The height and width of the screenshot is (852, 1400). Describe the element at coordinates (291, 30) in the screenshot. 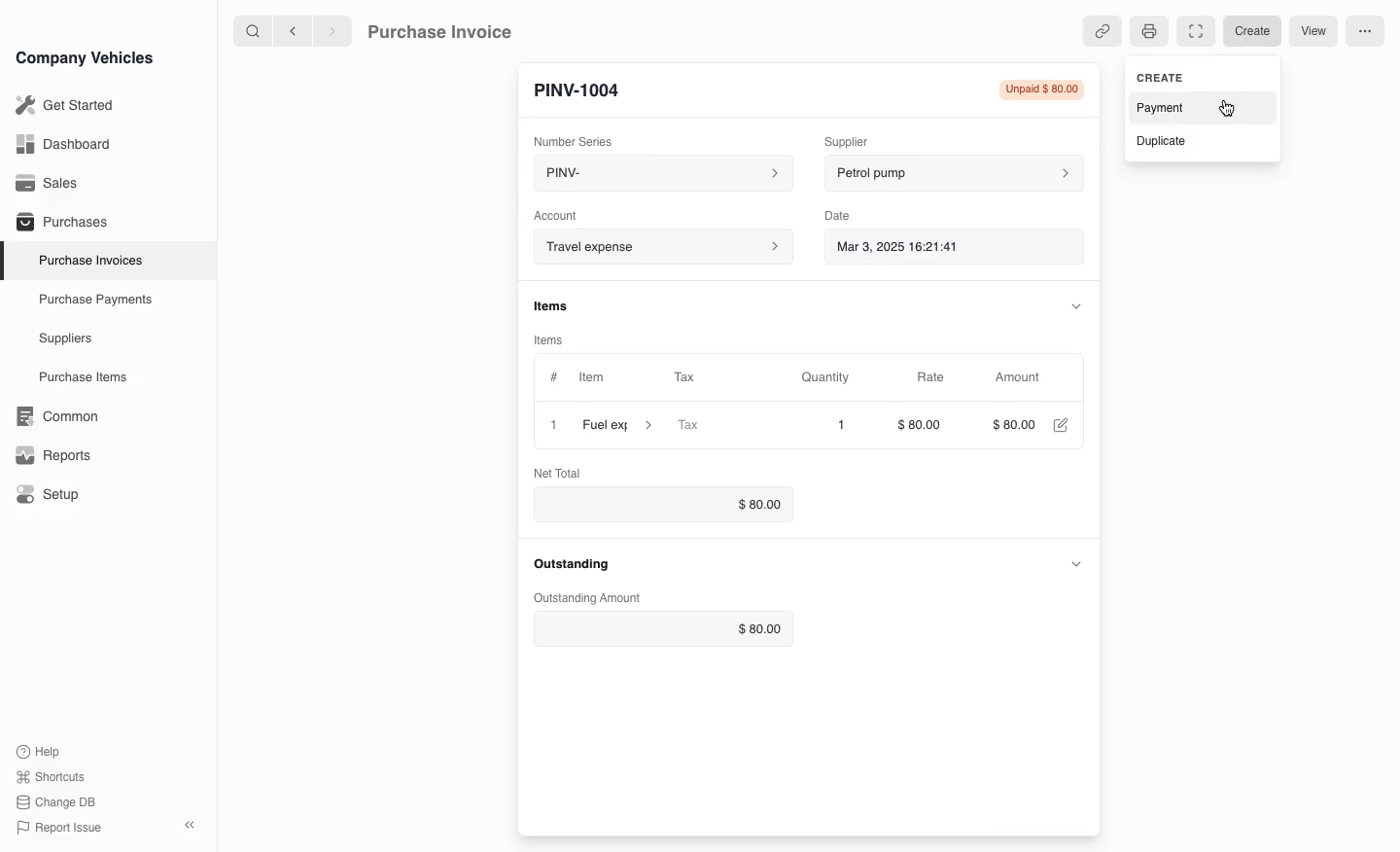

I see `previous` at that location.